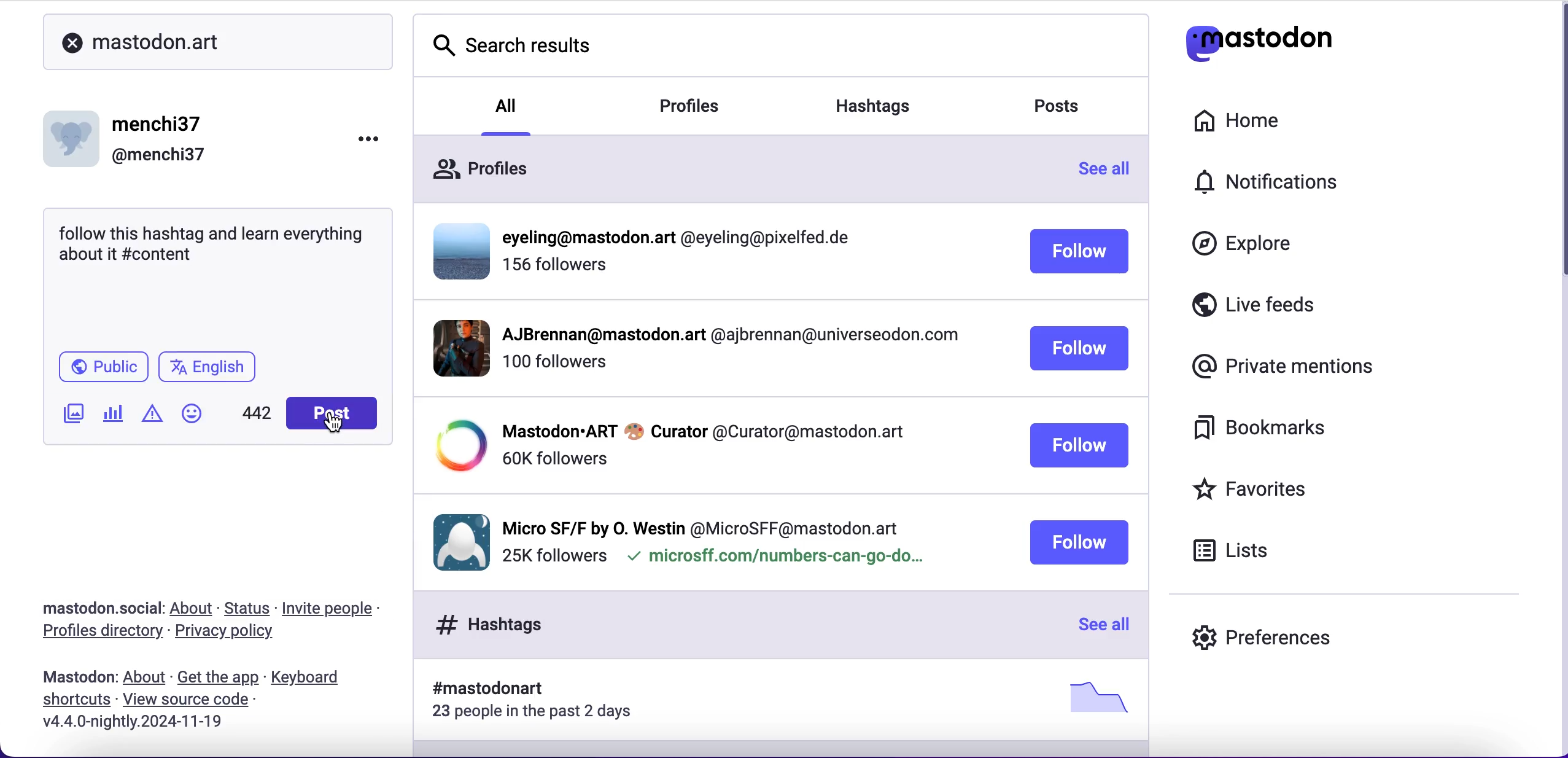  What do you see at coordinates (141, 41) in the screenshot?
I see `mastodon.art` at bounding box center [141, 41].